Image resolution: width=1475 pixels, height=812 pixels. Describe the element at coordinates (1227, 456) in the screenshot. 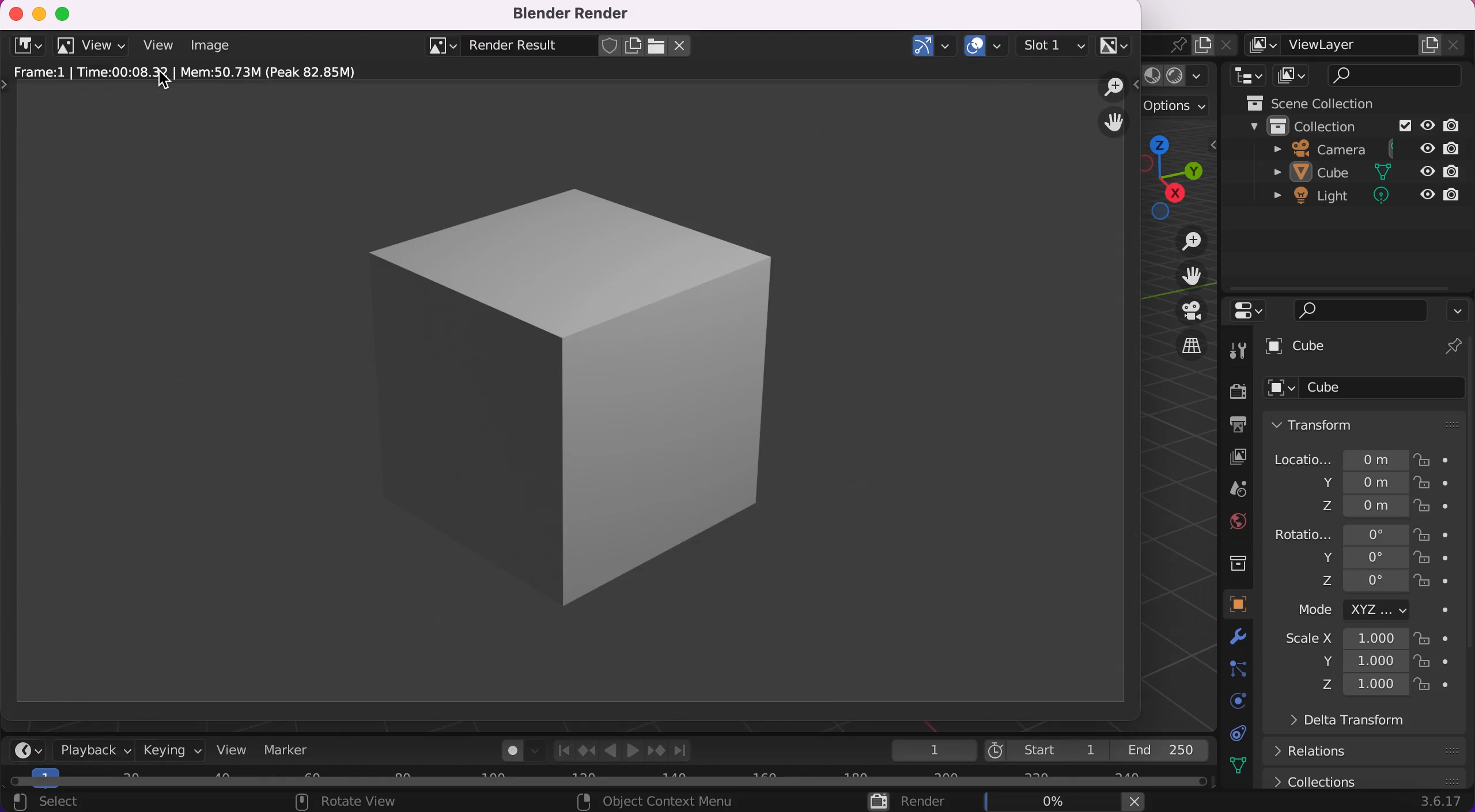

I see `layer` at that location.